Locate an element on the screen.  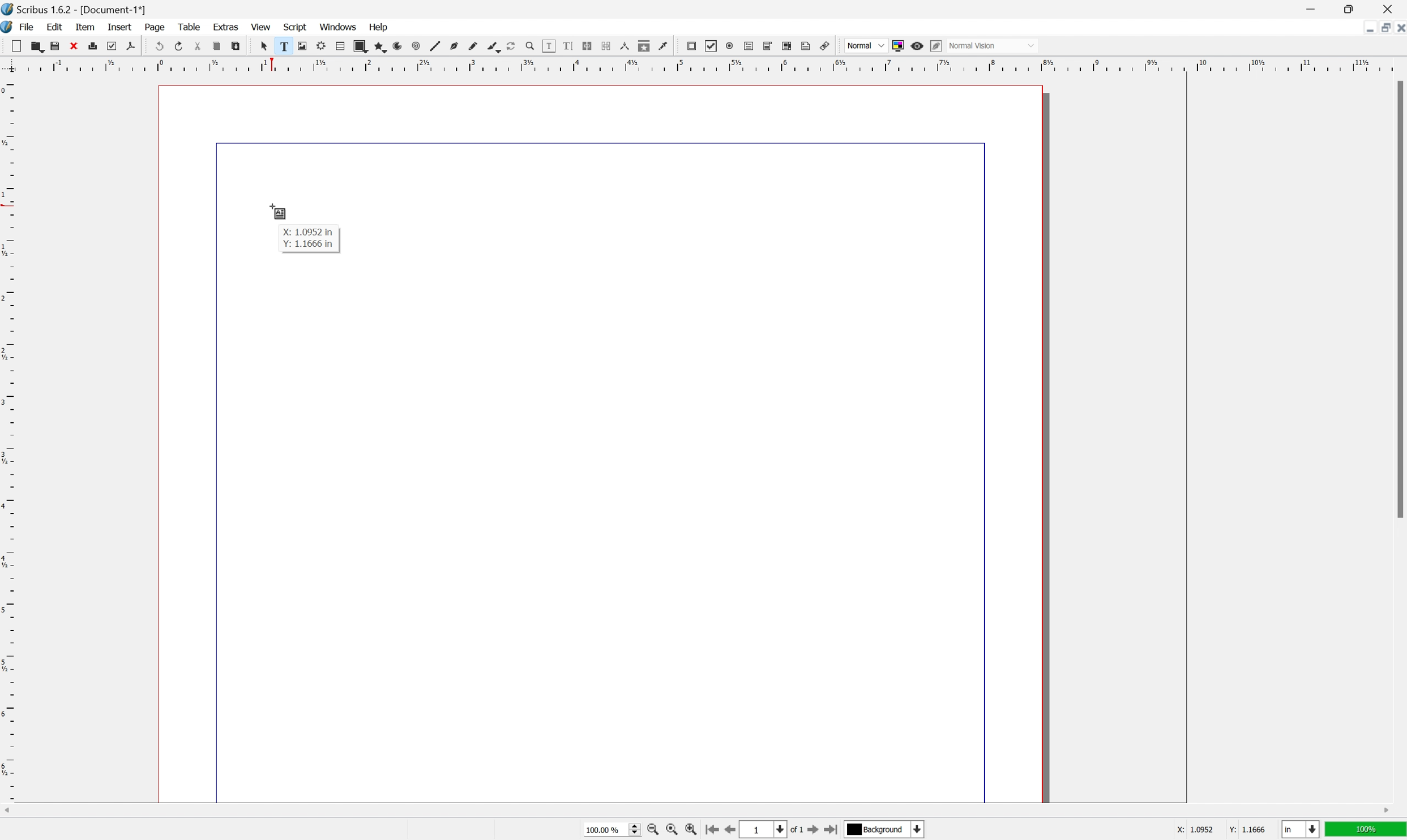
eye dropper is located at coordinates (664, 46).